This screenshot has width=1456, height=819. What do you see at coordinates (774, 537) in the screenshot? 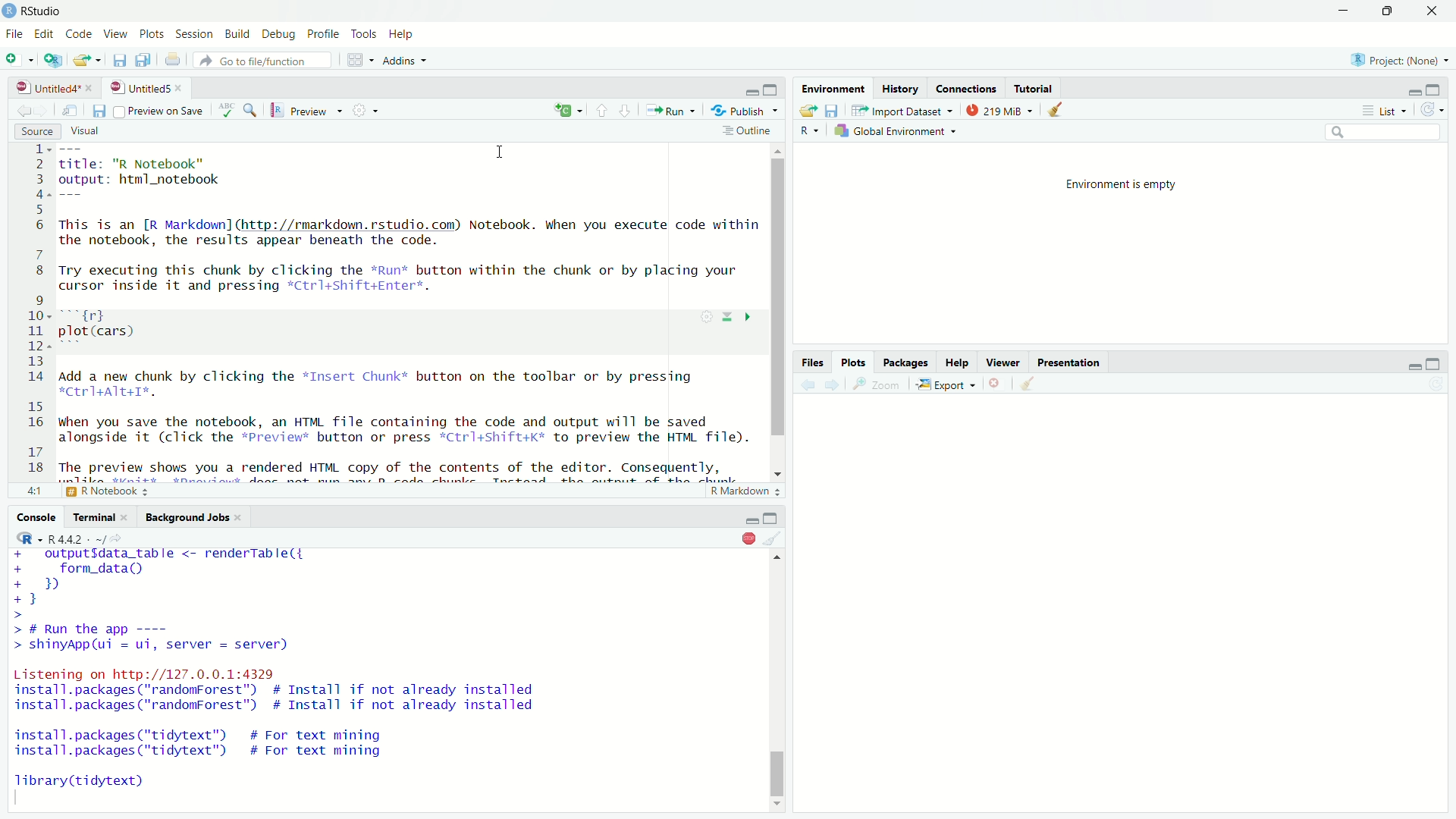
I see `clear console` at bounding box center [774, 537].